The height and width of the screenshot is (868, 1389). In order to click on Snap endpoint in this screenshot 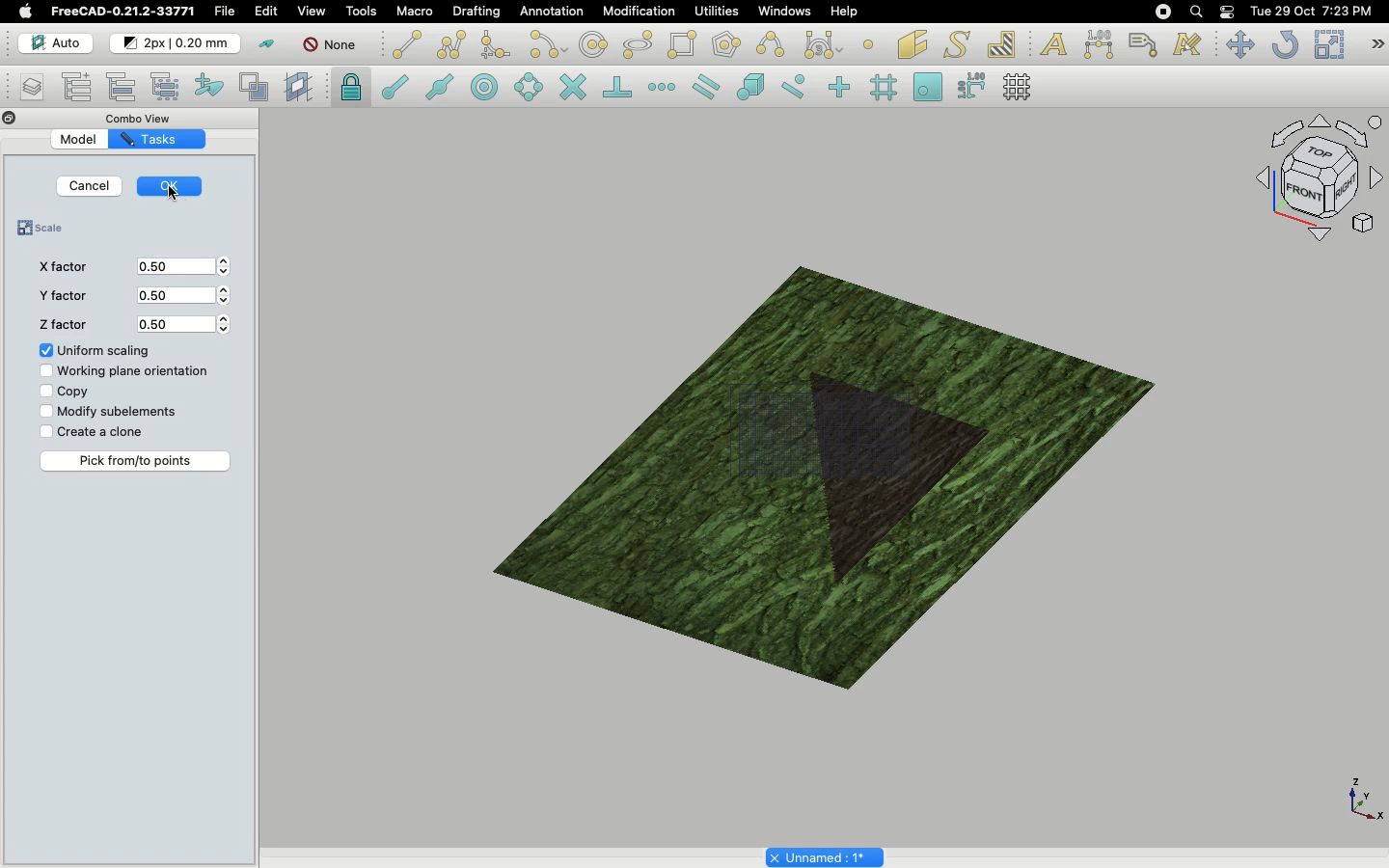, I will do `click(392, 84)`.